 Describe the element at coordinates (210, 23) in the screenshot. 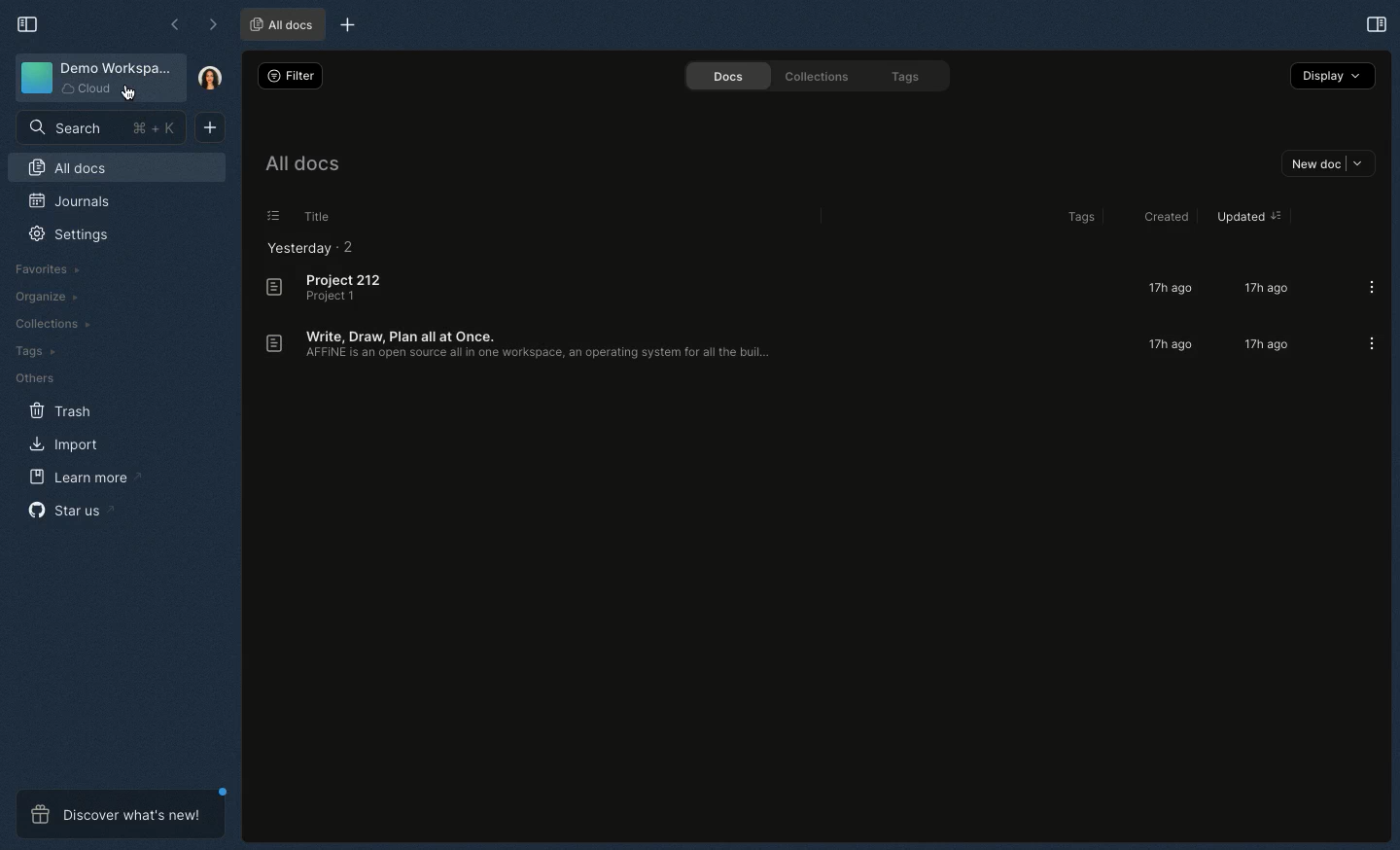

I see `Forward` at that location.